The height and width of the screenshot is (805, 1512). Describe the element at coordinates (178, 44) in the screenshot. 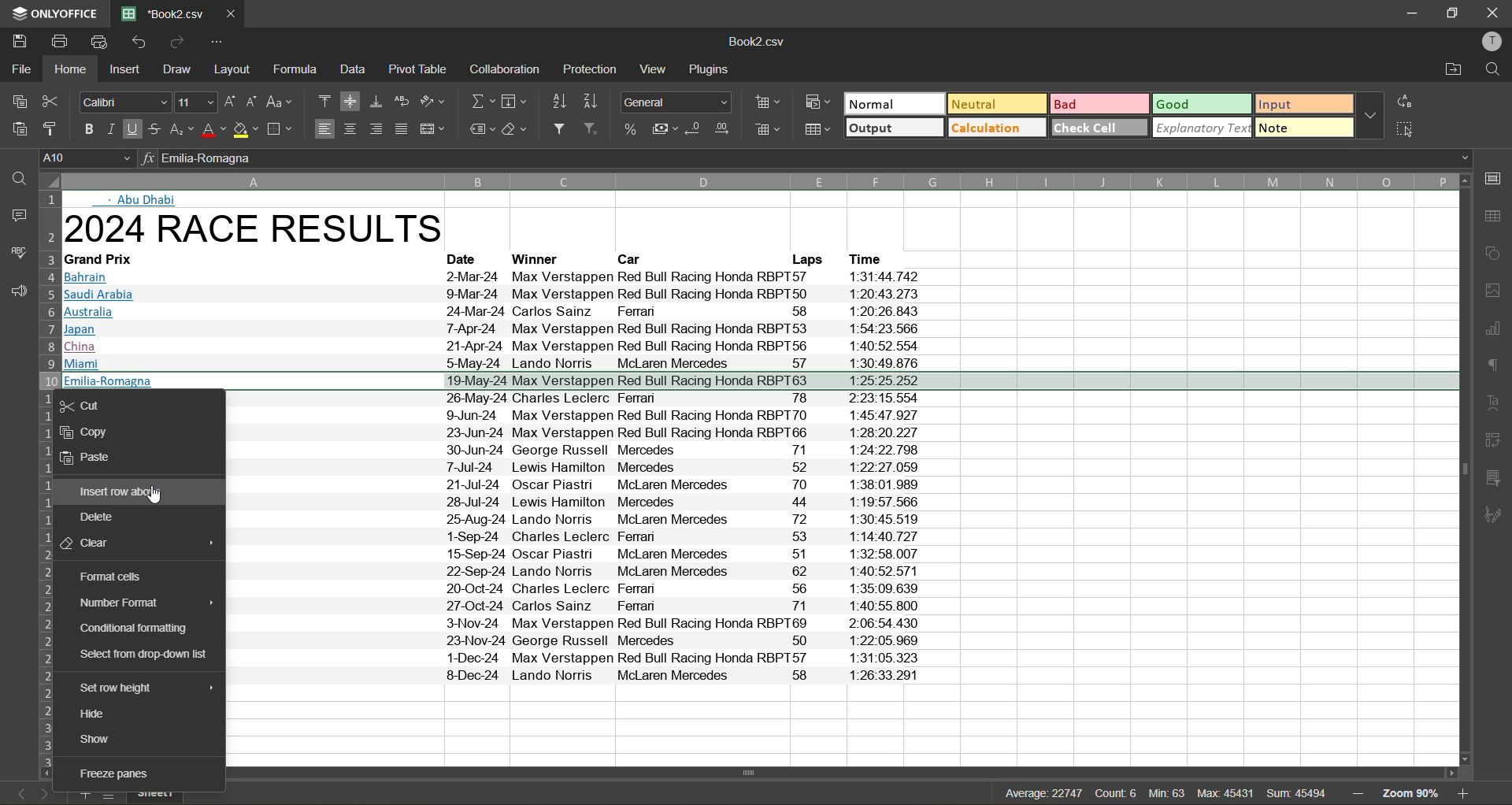

I see `redo` at that location.